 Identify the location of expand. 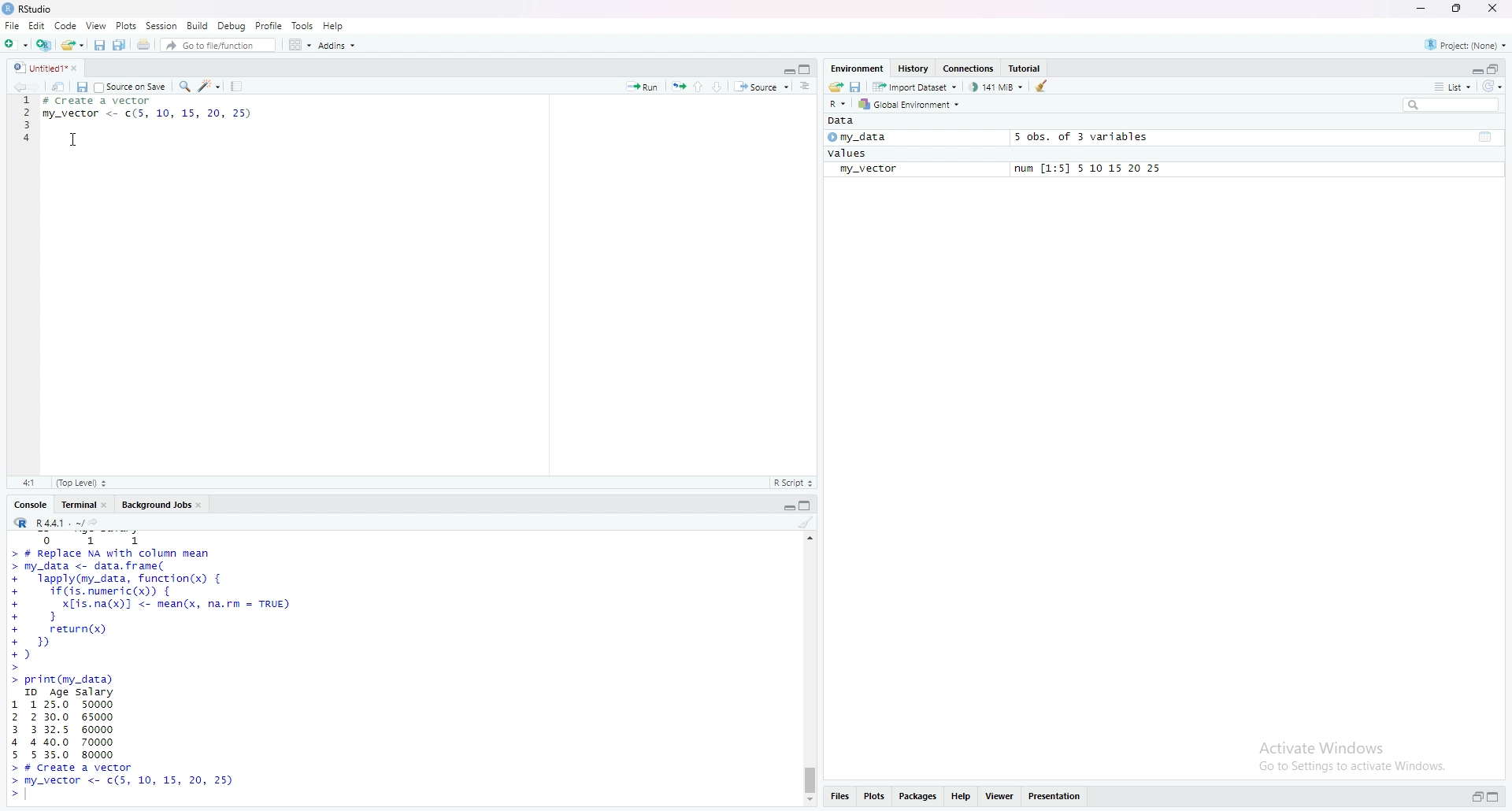
(788, 507).